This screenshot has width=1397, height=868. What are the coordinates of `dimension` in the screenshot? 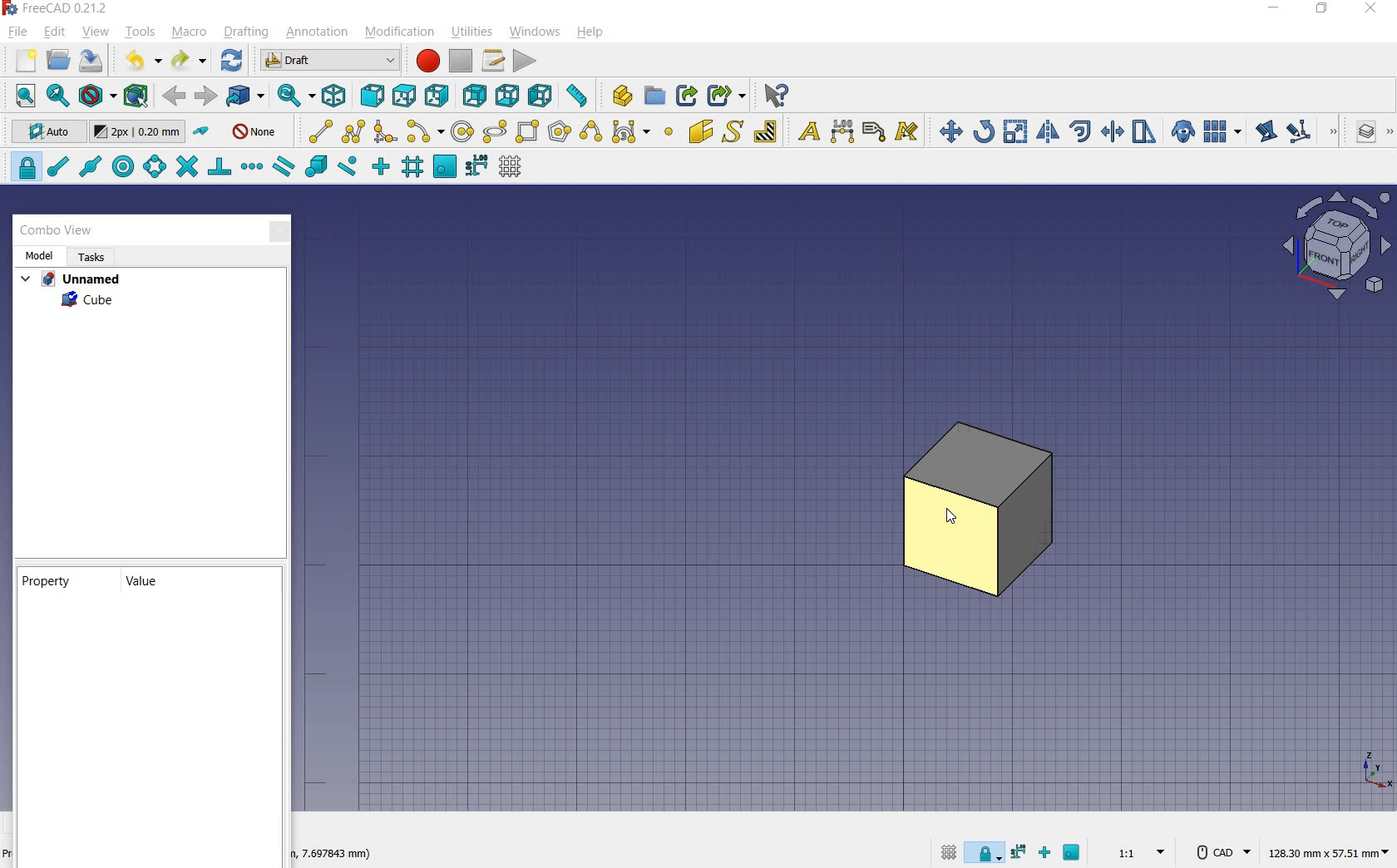 It's located at (333, 854).